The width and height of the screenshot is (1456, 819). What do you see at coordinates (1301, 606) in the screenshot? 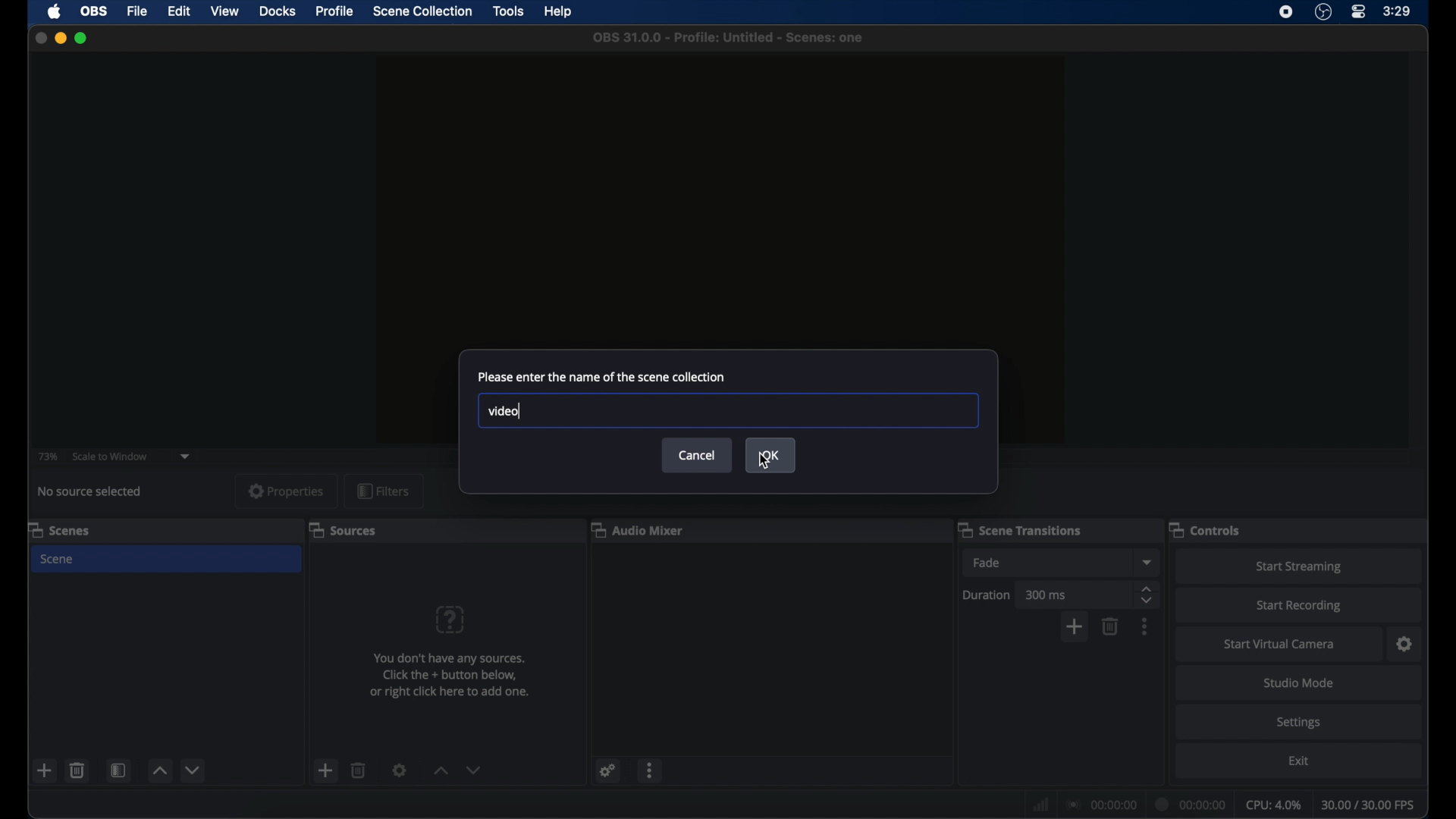
I see `start recording` at bounding box center [1301, 606].